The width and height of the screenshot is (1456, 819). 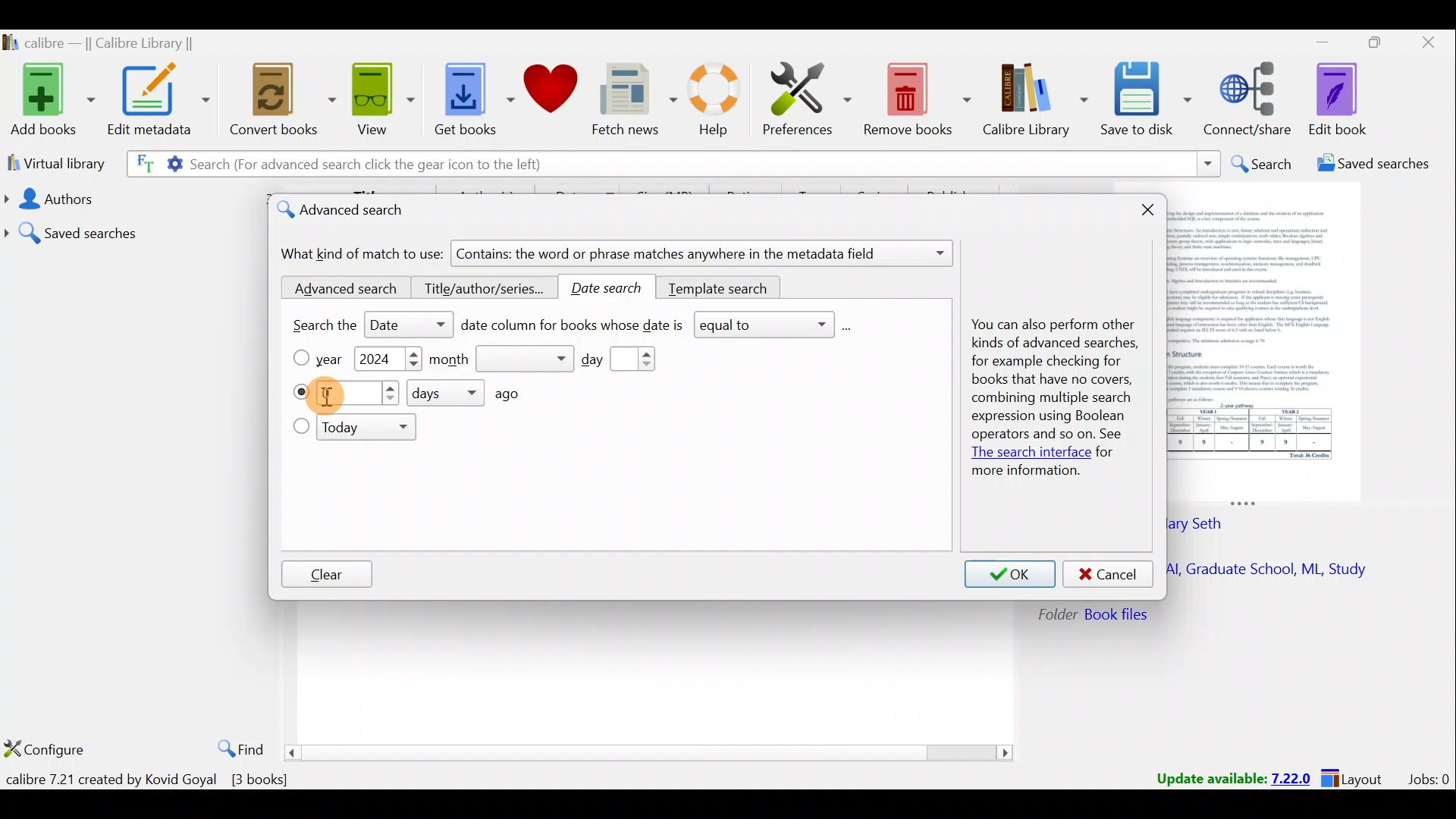 I want to click on Edit metadata, so click(x=162, y=102).